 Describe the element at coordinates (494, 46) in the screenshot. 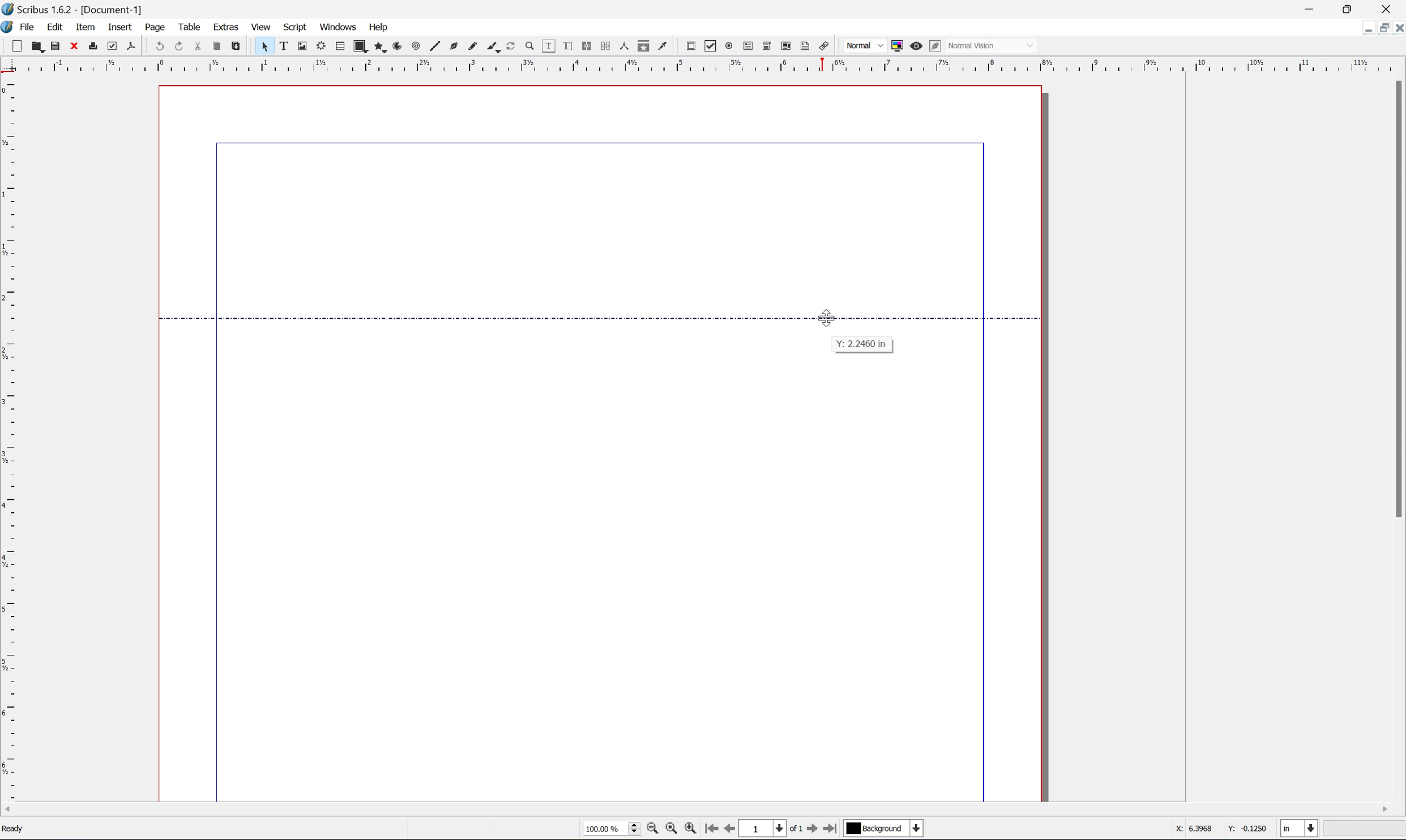

I see `calligraphic line` at that location.